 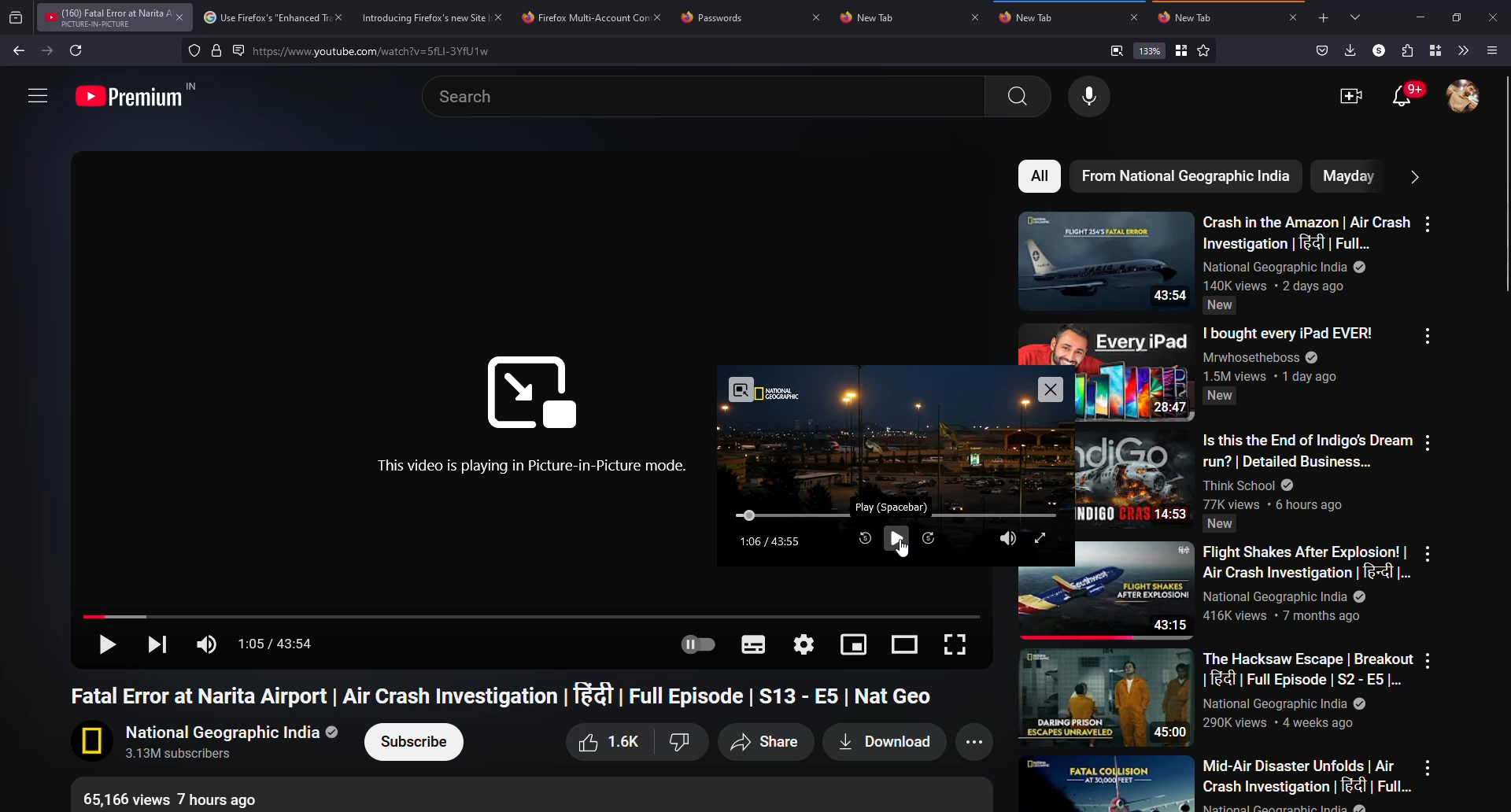 What do you see at coordinates (875, 18) in the screenshot?
I see `tab` at bounding box center [875, 18].